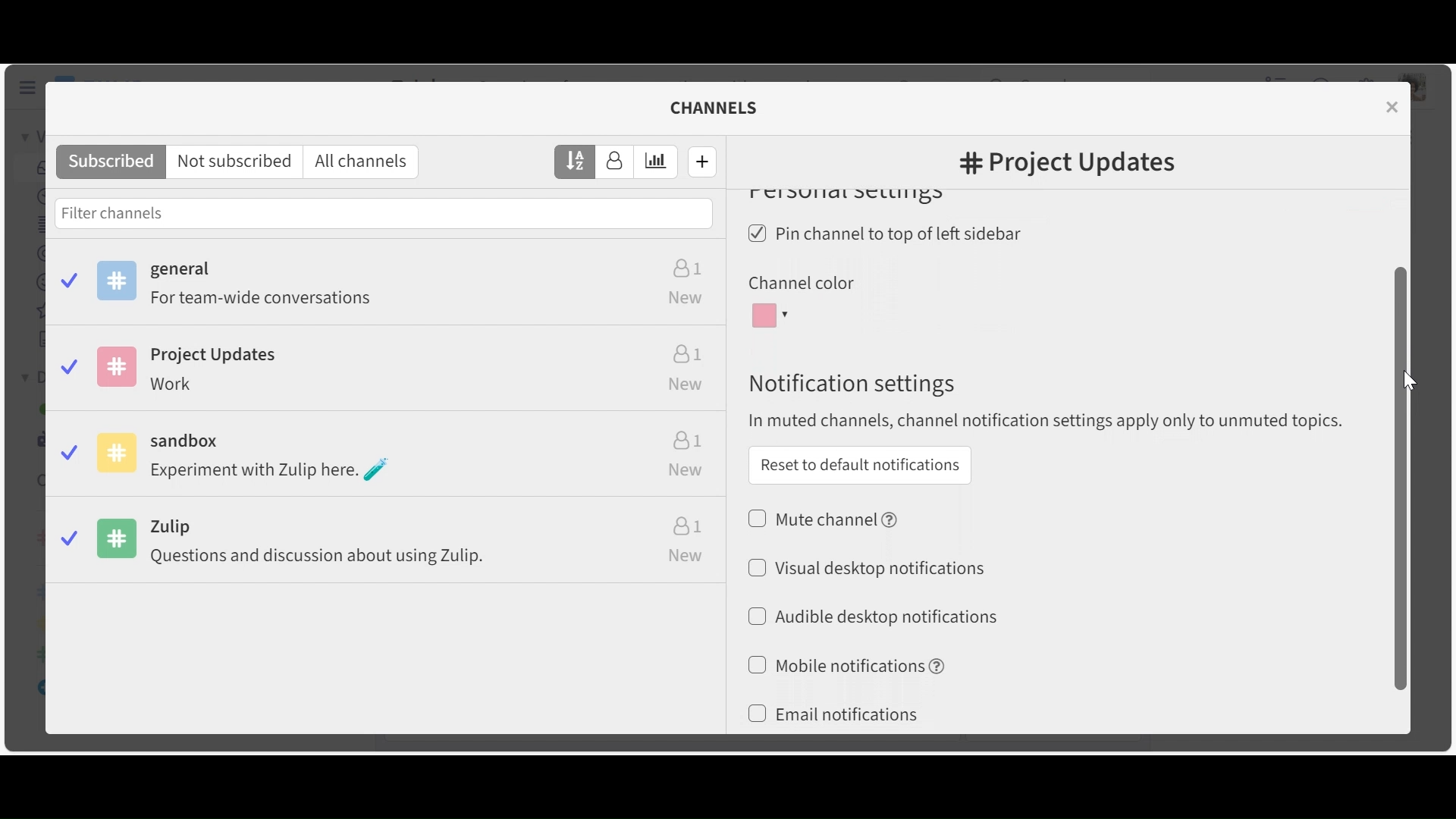  I want to click on Cursor, so click(1409, 383).